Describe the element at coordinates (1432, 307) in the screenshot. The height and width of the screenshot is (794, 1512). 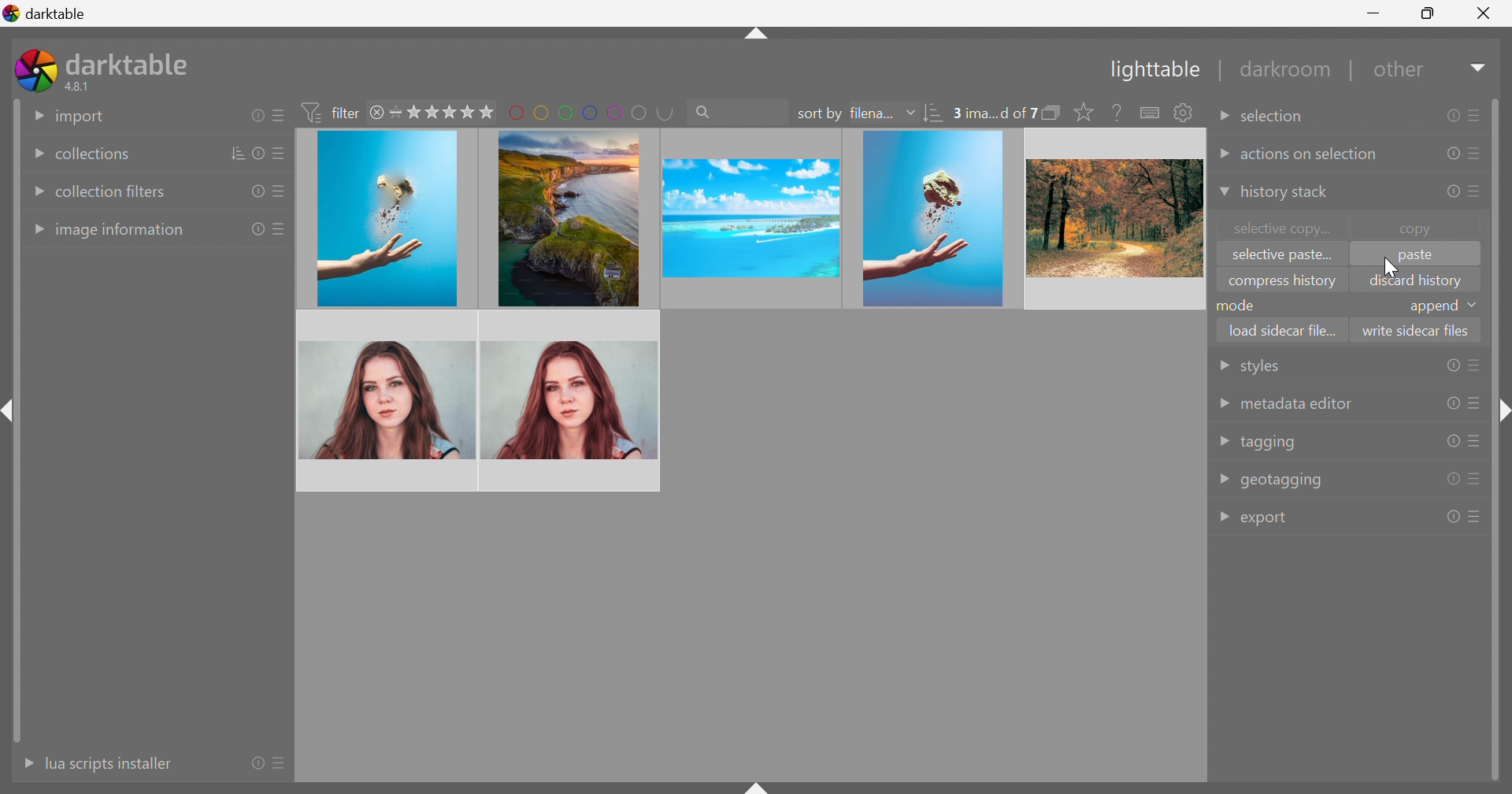
I see `append` at that location.